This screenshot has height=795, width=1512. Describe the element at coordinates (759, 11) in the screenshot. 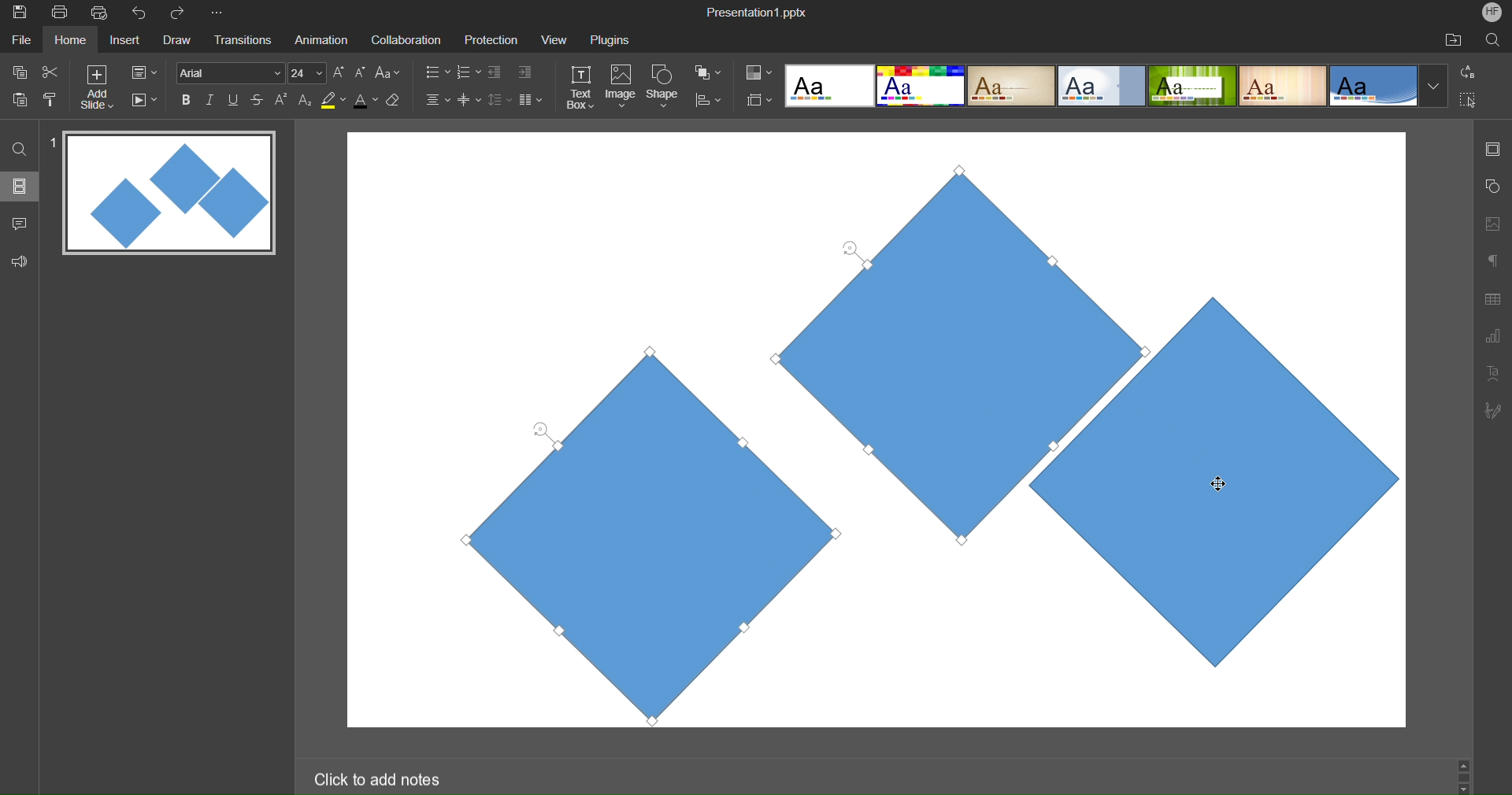

I see `Presentation Title` at that location.